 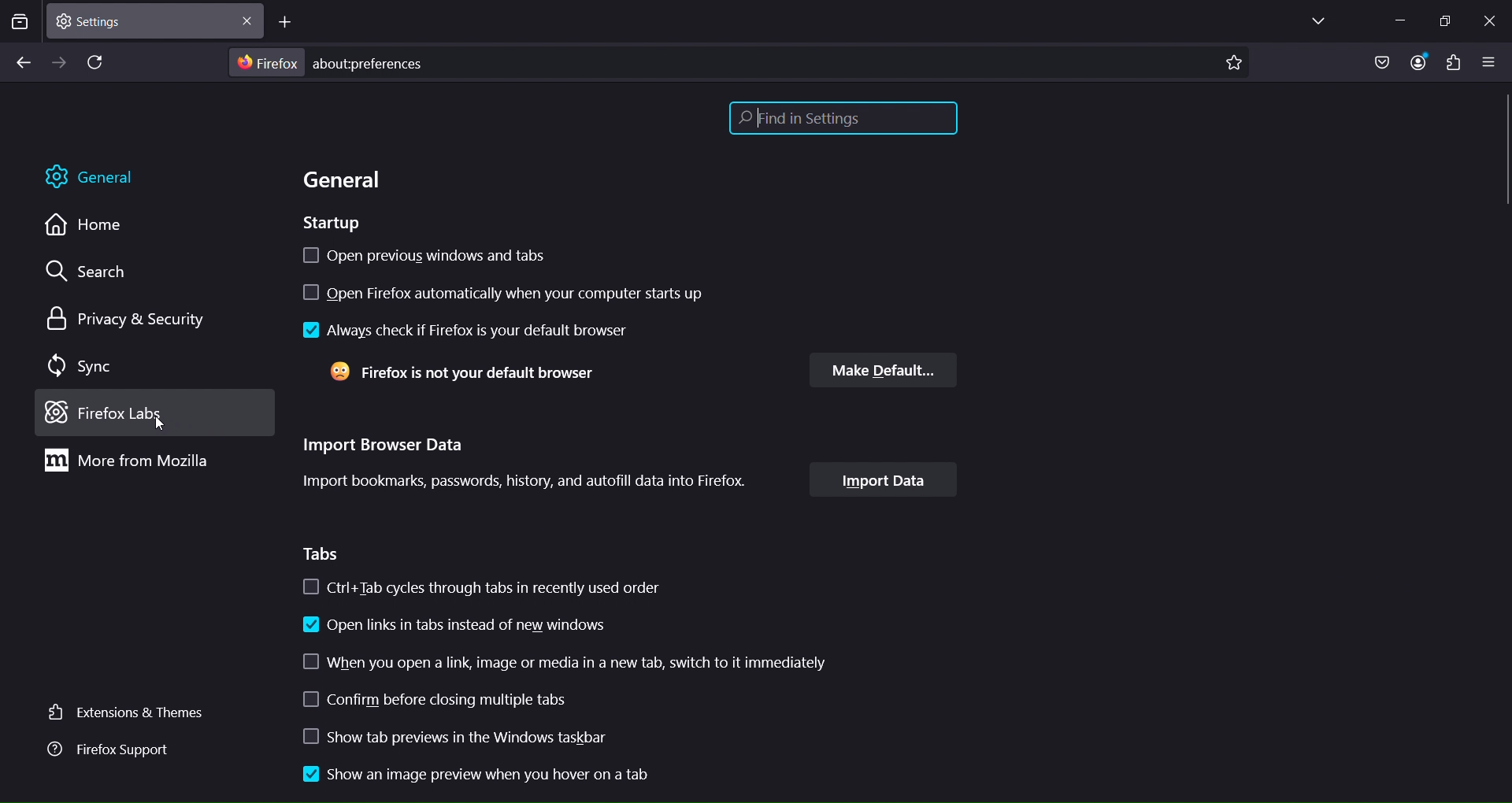 I want to click on show tab preview in the windows taskbar, so click(x=481, y=739).